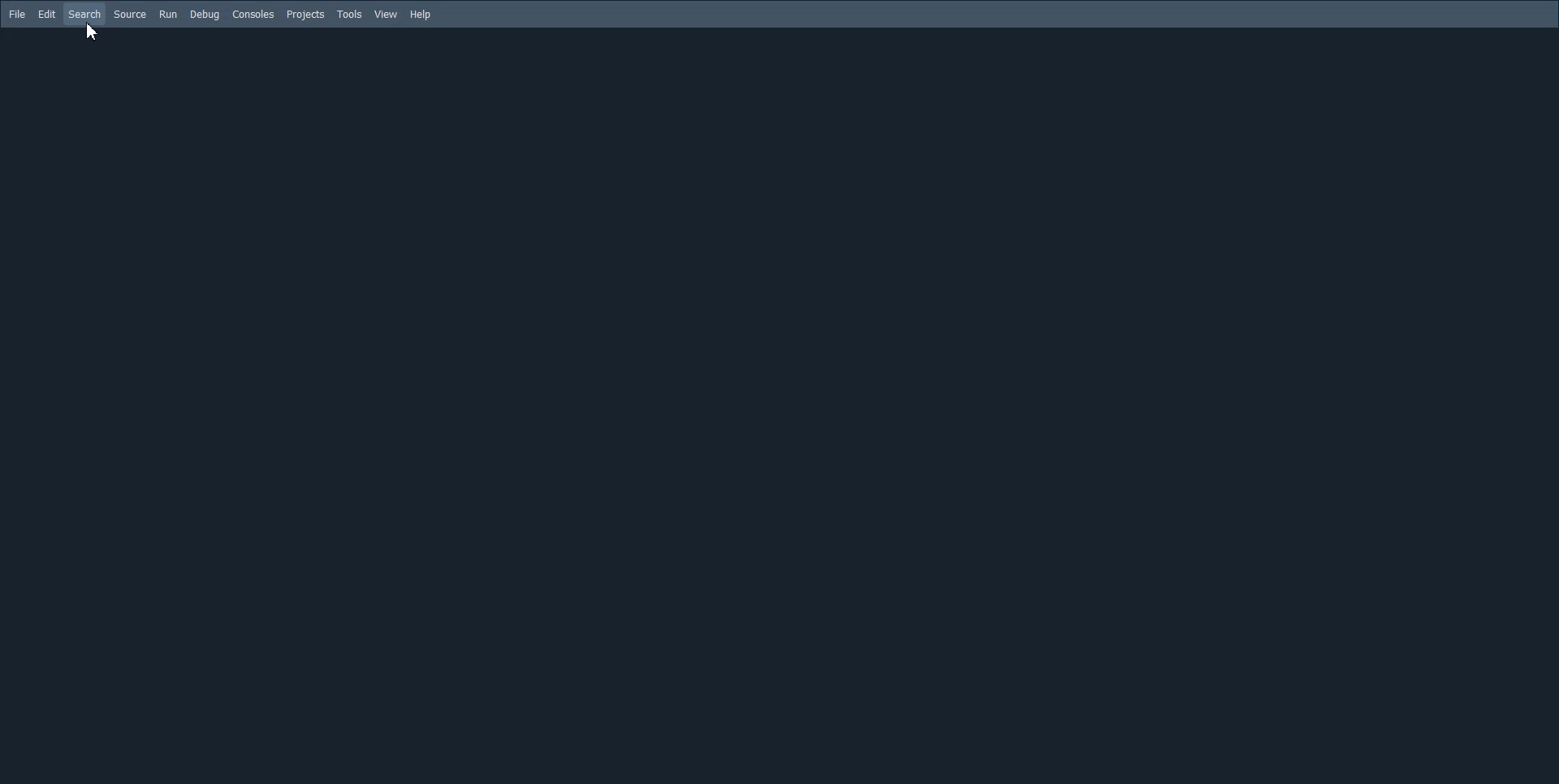  I want to click on Source, so click(130, 14).